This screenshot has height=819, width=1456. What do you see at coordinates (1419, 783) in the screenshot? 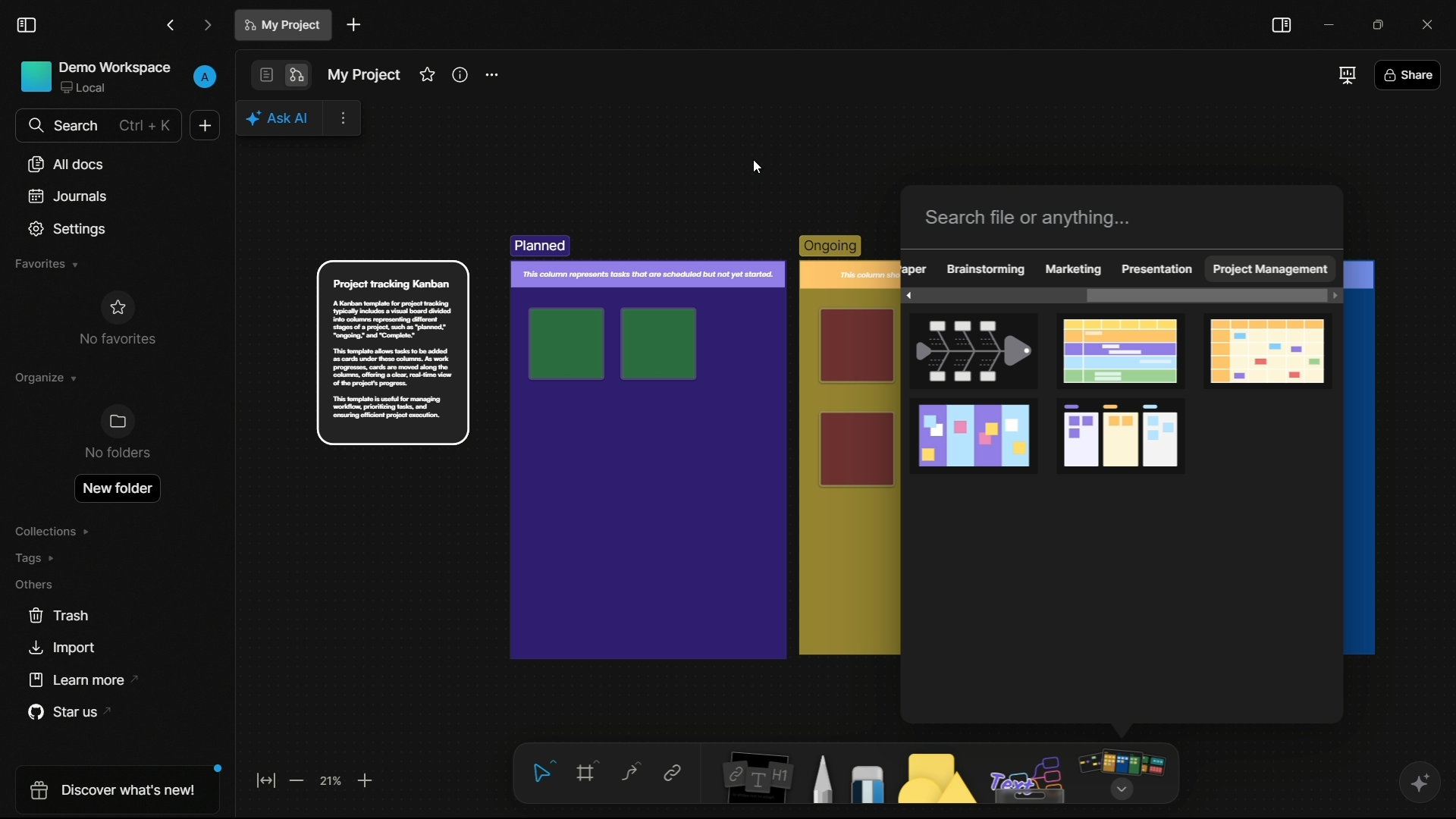
I see `ai assistant` at bounding box center [1419, 783].